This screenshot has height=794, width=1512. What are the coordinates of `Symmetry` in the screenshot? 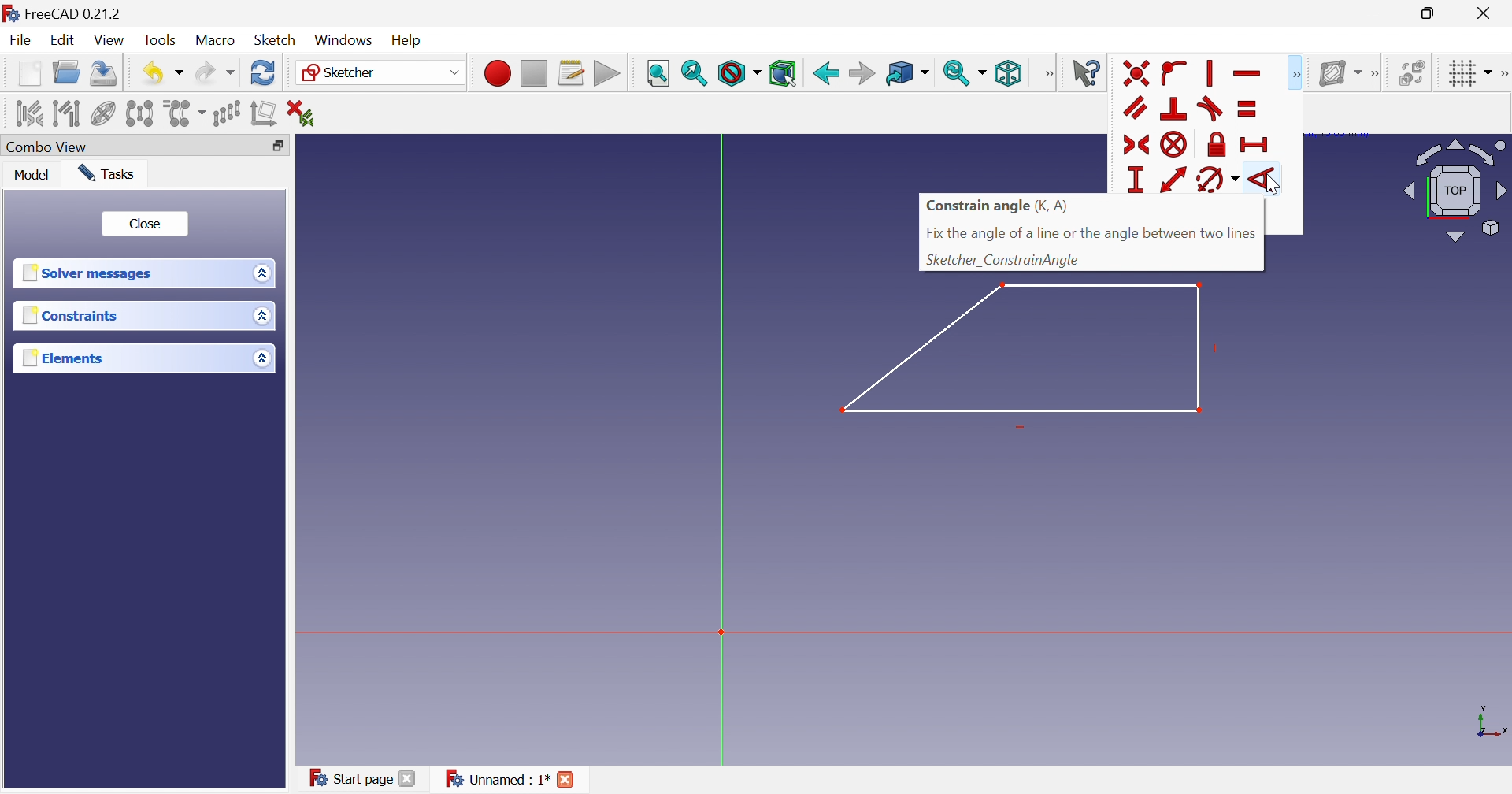 It's located at (140, 114).